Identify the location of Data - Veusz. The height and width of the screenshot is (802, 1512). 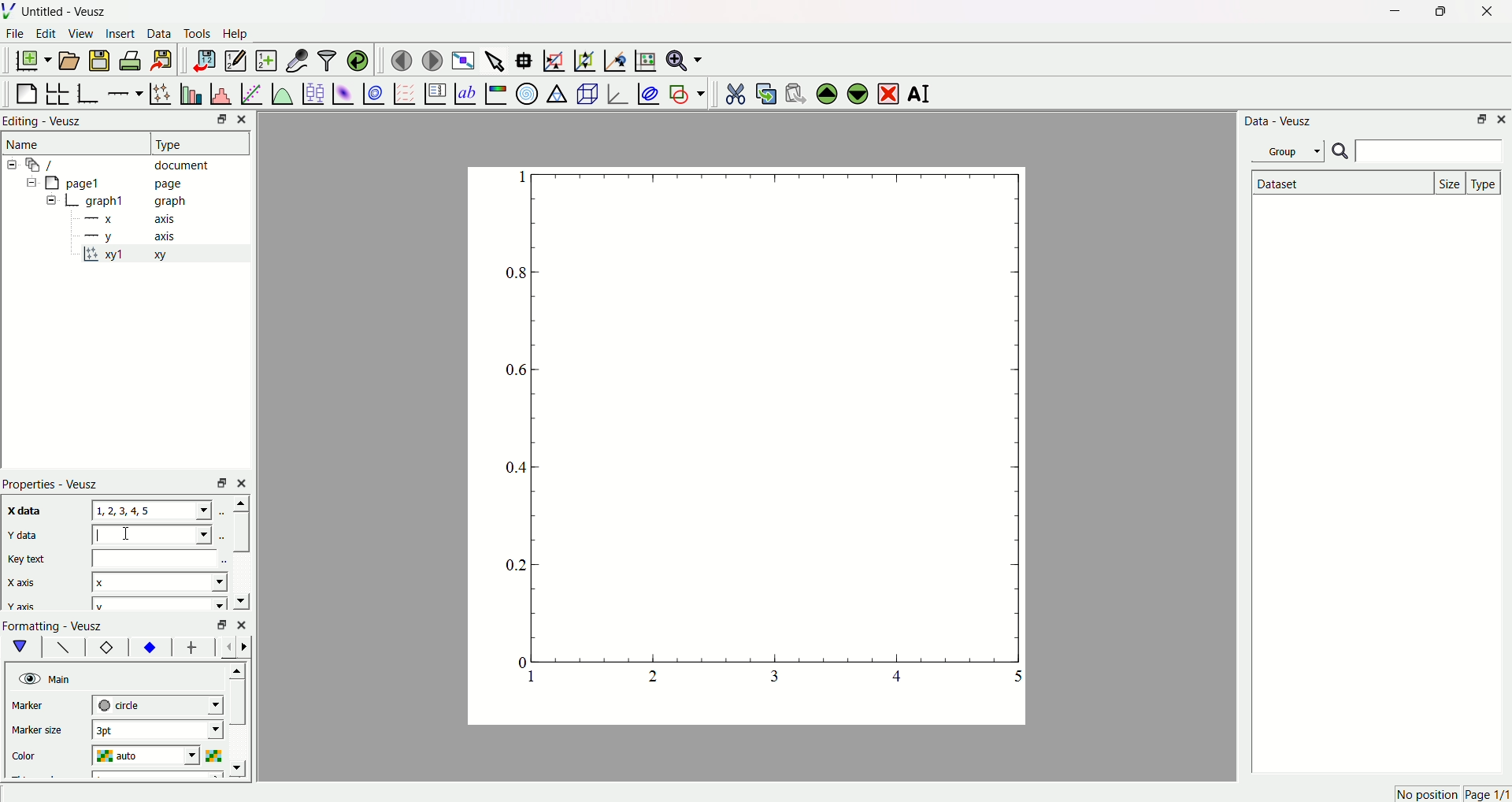
(1280, 122).